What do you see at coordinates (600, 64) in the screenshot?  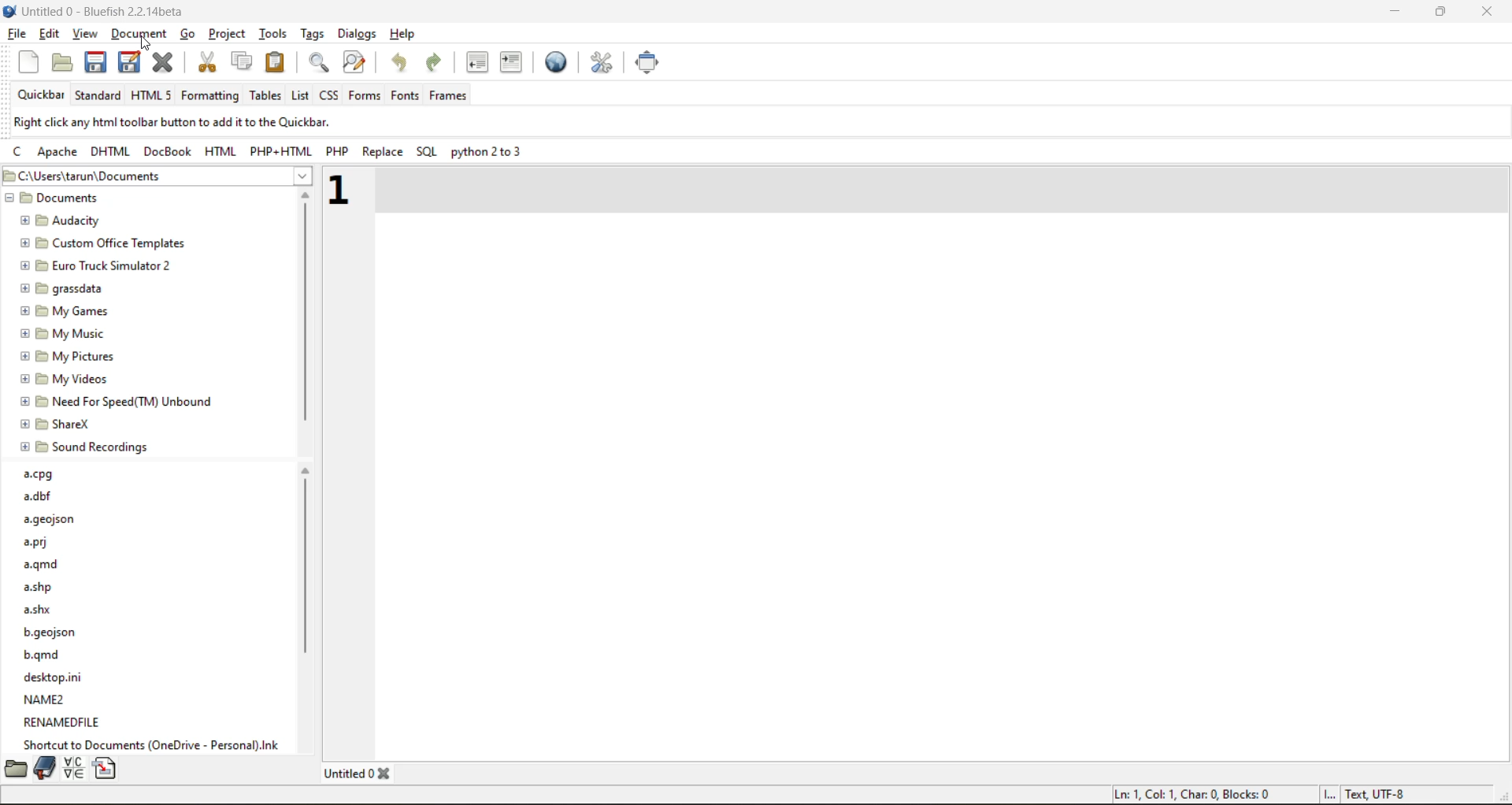 I see `edit preferences` at bounding box center [600, 64].